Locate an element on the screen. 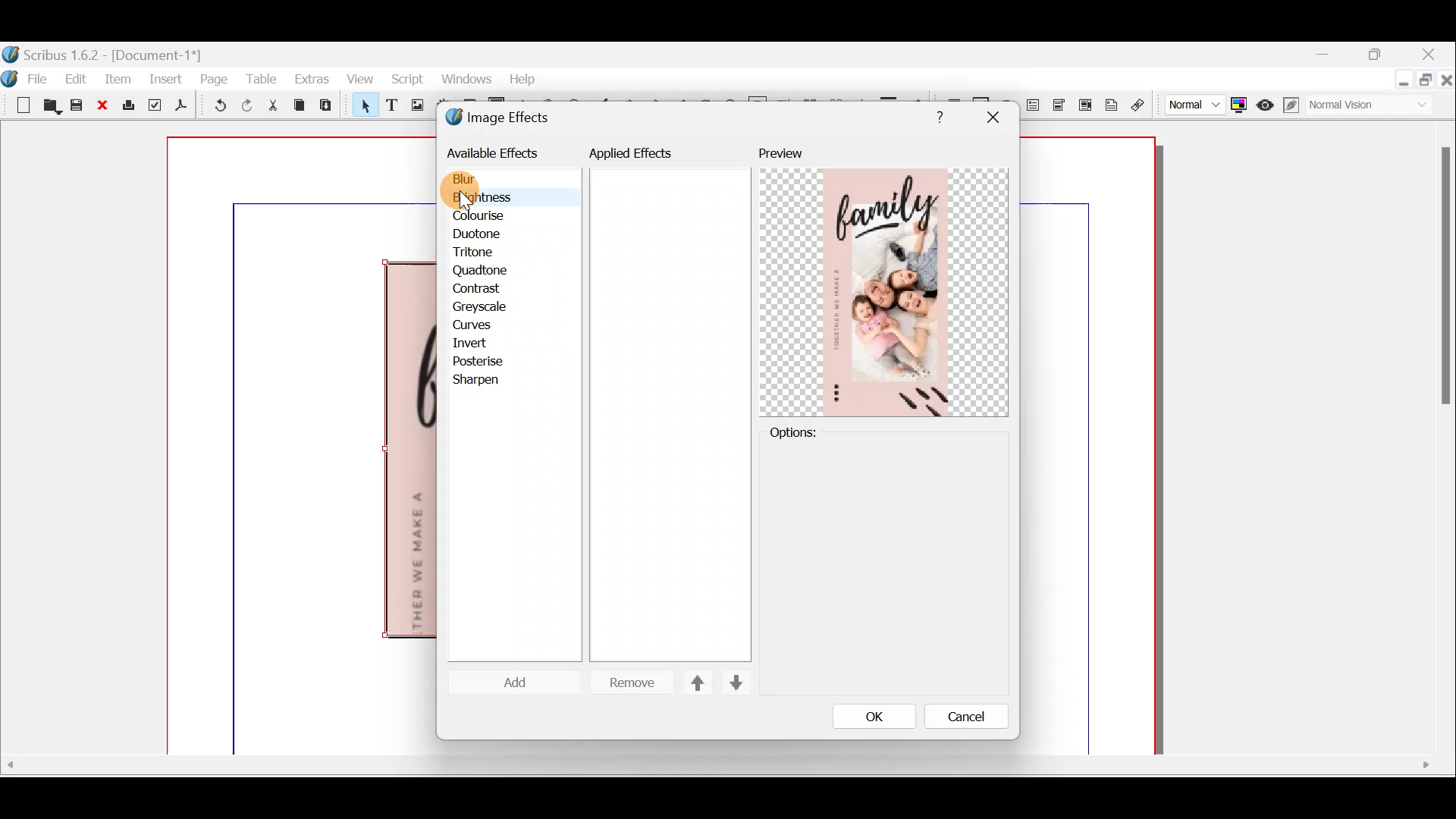  Script is located at coordinates (406, 81).